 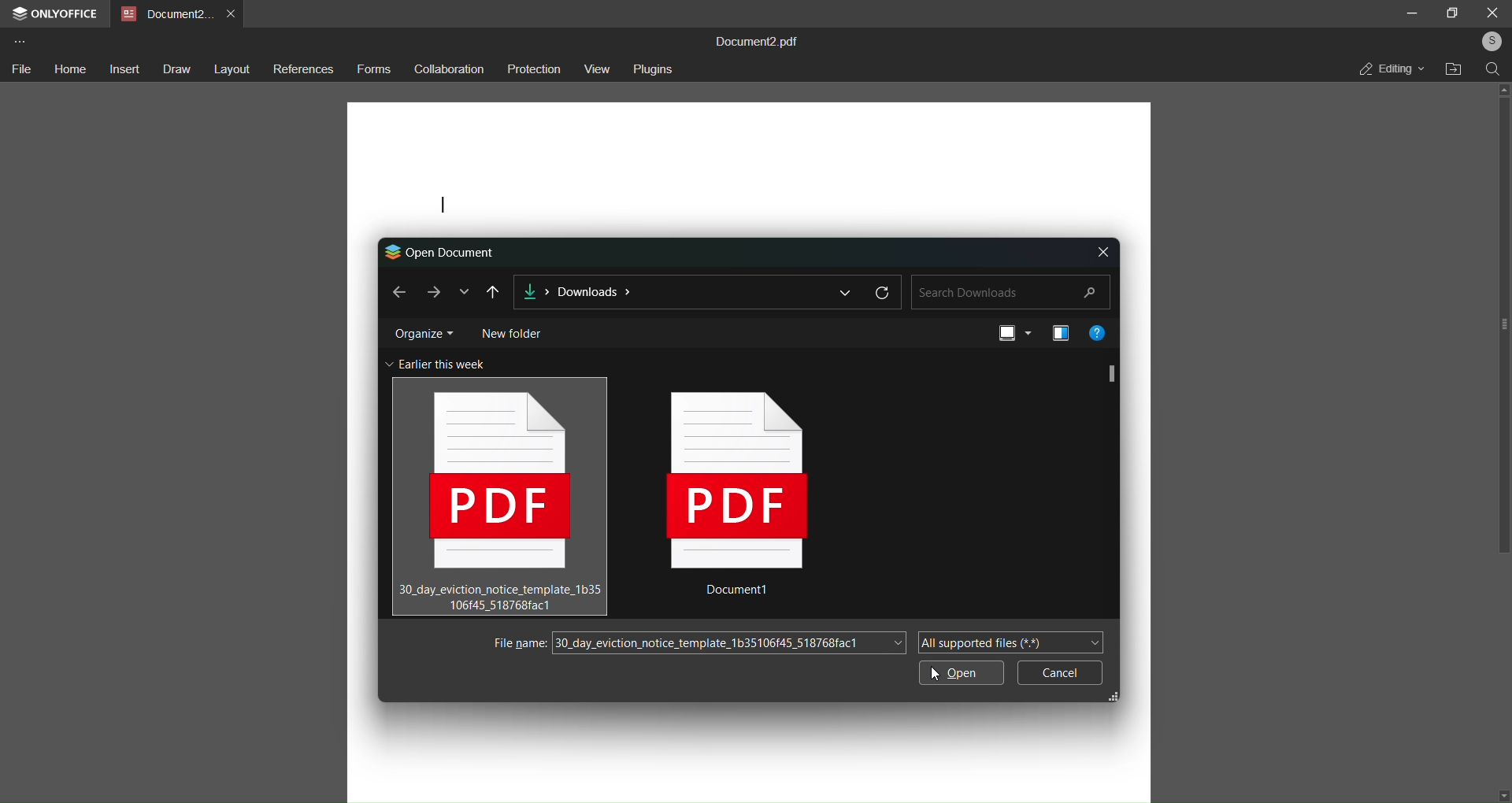 What do you see at coordinates (669, 293) in the screenshot?
I see `path` at bounding box center [669, 293].